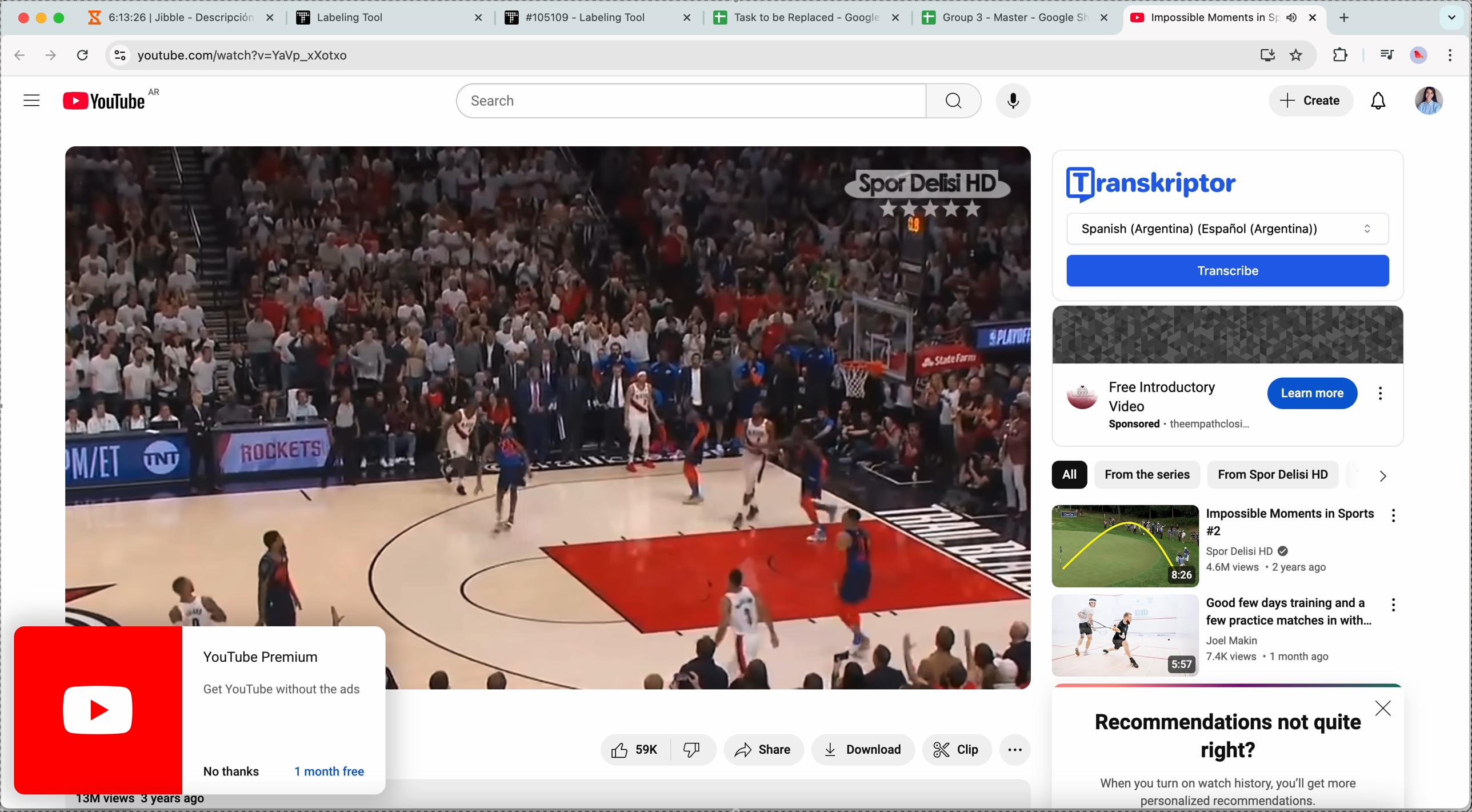  I want to click on more options, so click(1397, 514).